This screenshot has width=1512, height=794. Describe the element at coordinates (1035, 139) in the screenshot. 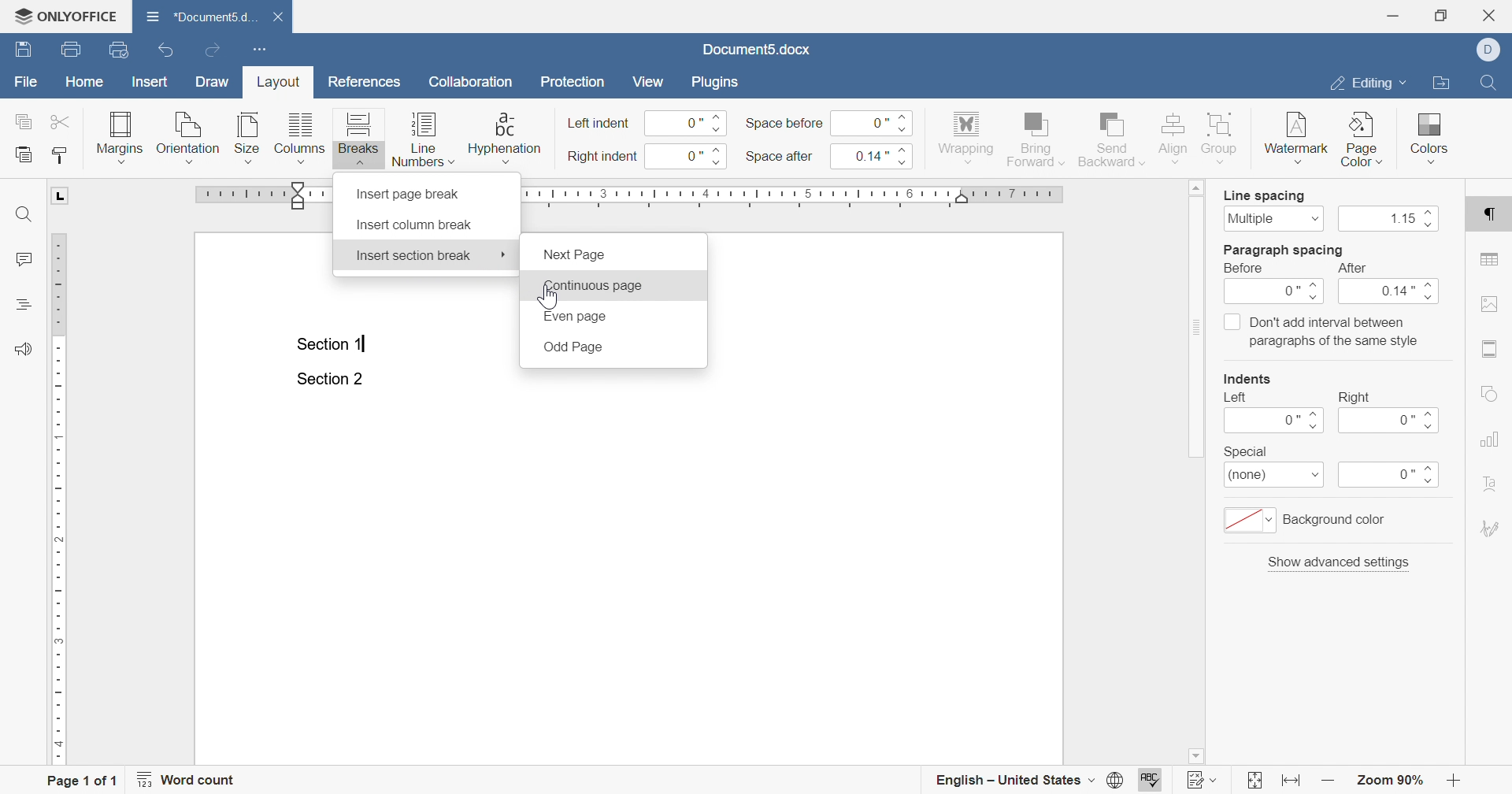

I see `bring forward` at that location.